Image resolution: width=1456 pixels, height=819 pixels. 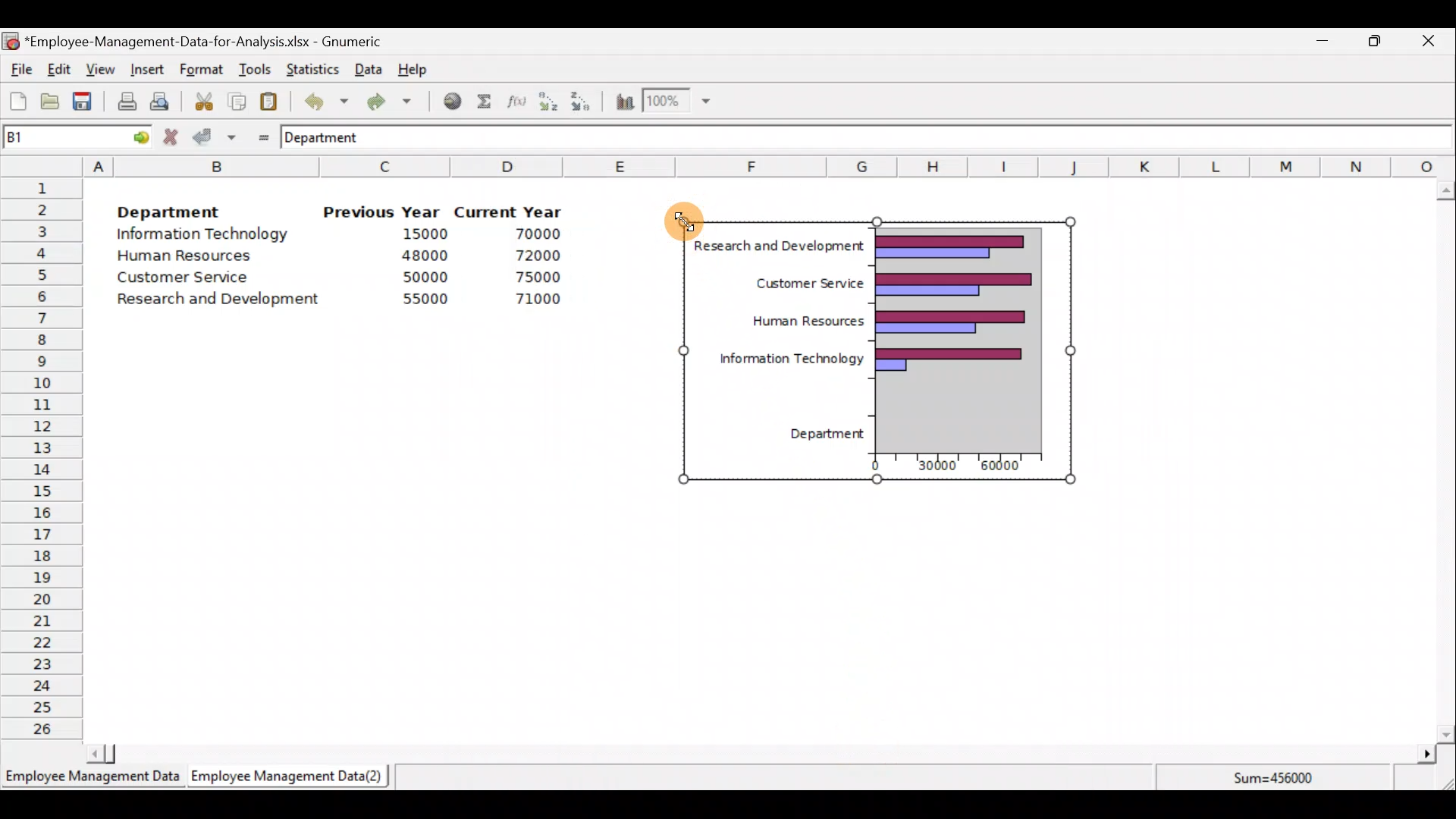 I want to click on Print current file, so click(x=127, y=101).